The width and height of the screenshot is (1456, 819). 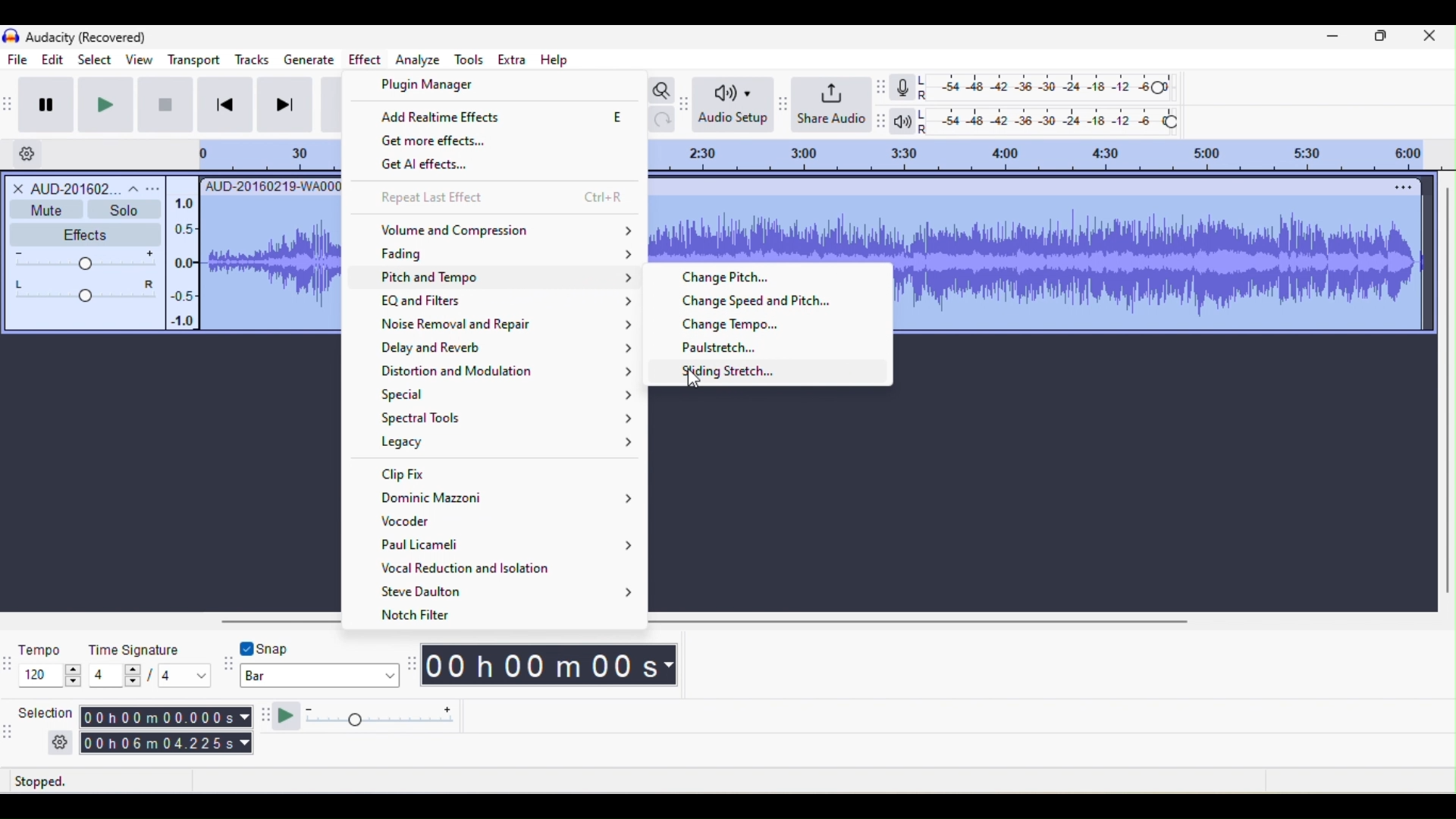 I want to click on File, so click(x=19, y=59).